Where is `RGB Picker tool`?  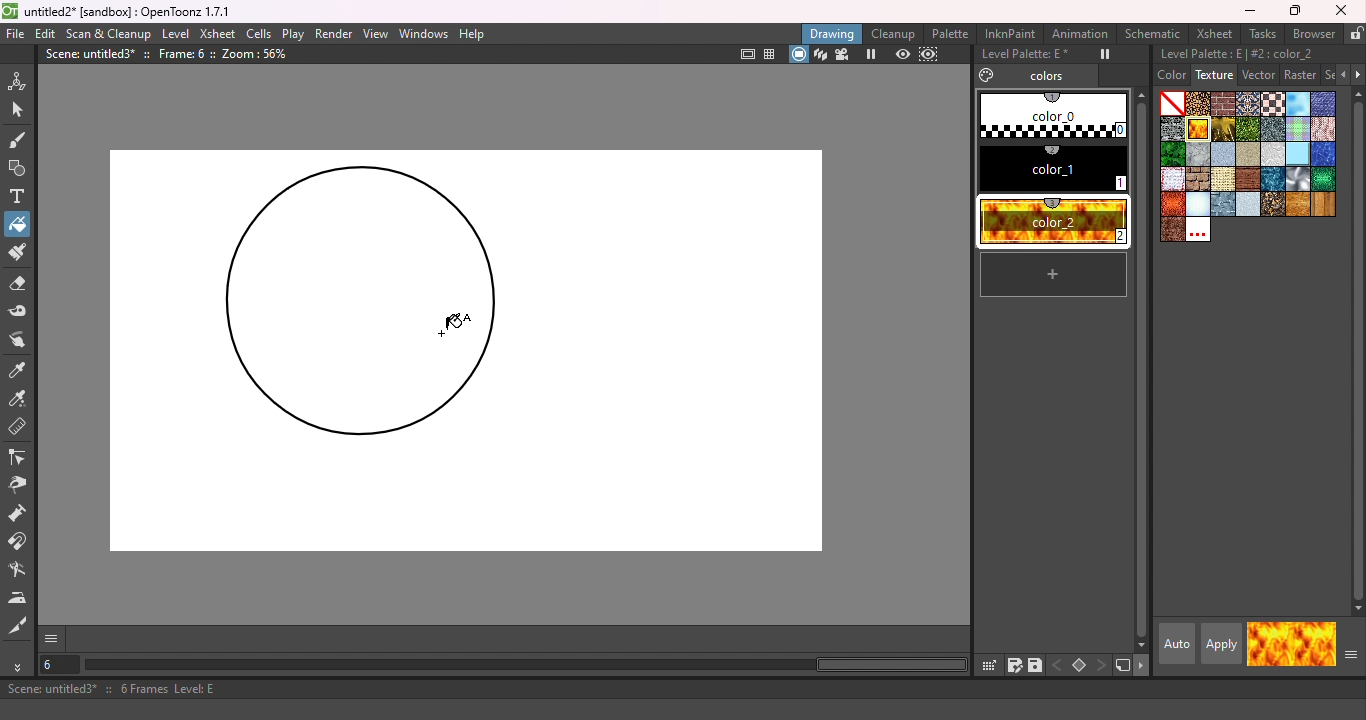
RGB Picker tool is located at coordinates (23, 400).